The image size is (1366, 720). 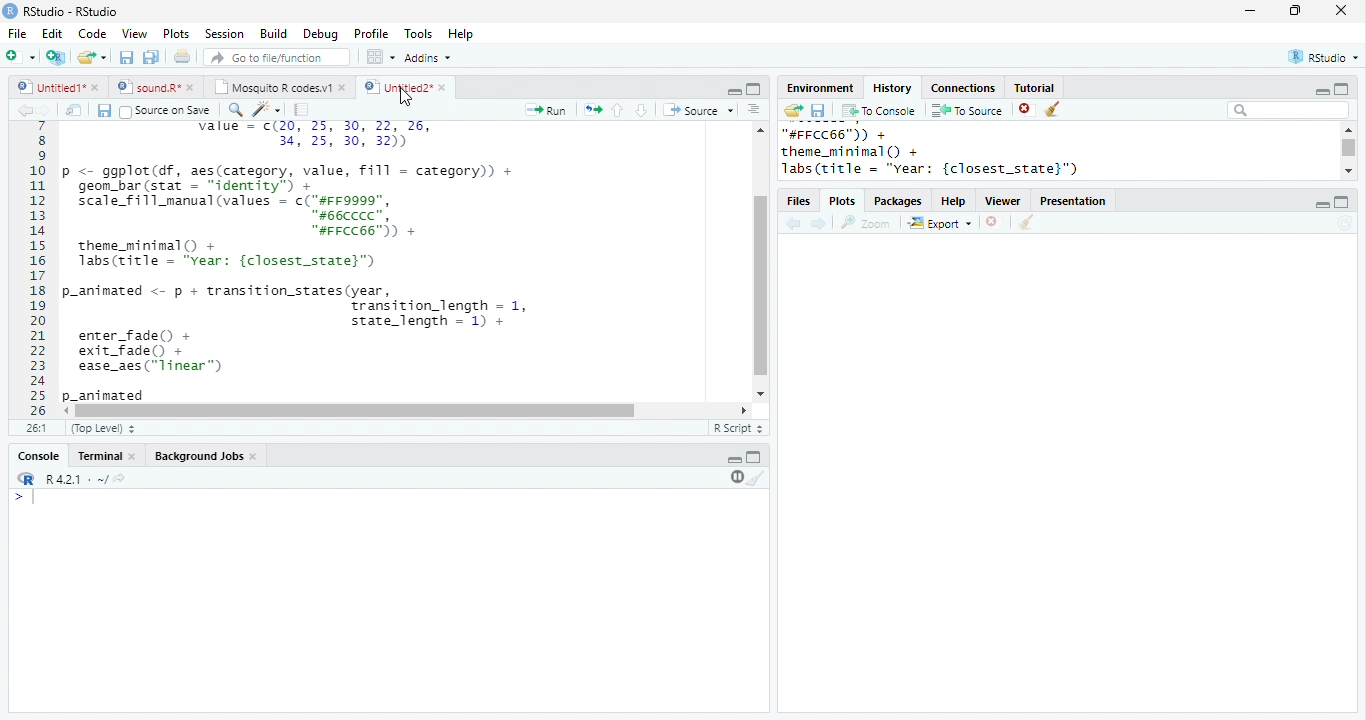 What do you see at coordinates (1027, 109) in the screenshot?
I see `close file` at bounding box center [1027, 109].